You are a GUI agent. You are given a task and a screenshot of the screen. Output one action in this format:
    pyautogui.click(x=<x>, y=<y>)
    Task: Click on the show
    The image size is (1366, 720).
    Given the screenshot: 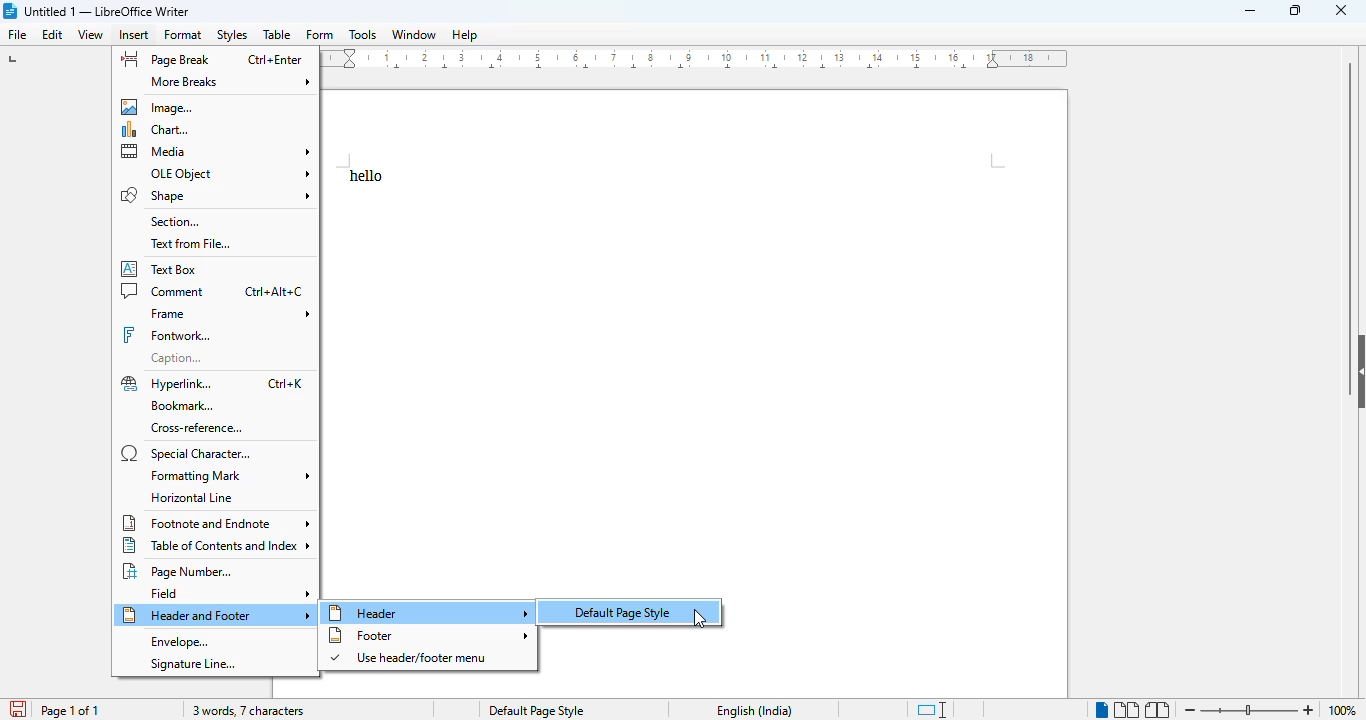 What is the action you would take?
    pyautogui.click(x=1357, y=371)
    